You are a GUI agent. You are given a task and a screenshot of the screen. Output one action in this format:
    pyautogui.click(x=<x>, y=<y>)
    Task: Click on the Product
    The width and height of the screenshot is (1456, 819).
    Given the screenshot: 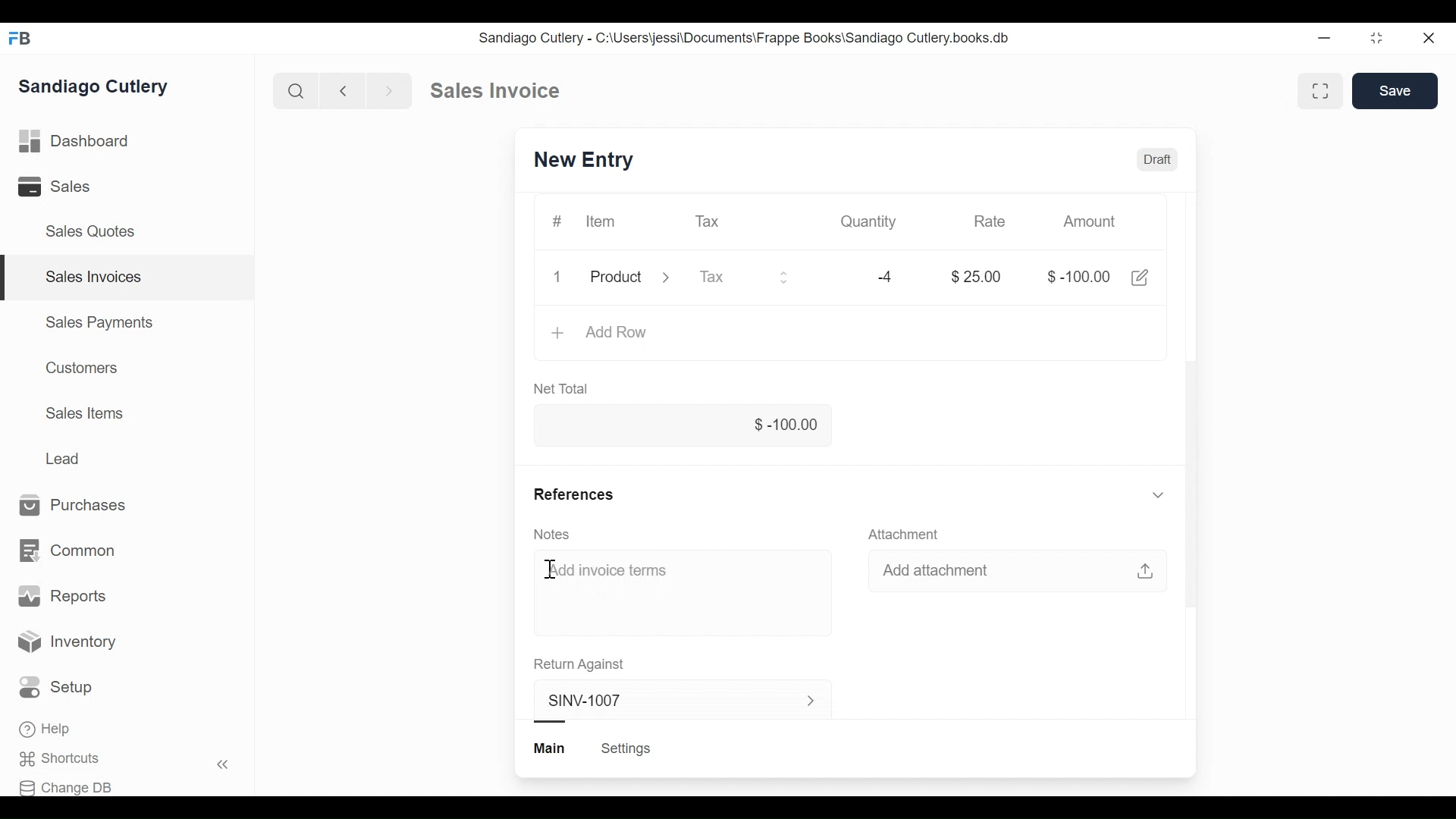 What is the action you would take?
    pyautogui.click(x=629, y=278)
    